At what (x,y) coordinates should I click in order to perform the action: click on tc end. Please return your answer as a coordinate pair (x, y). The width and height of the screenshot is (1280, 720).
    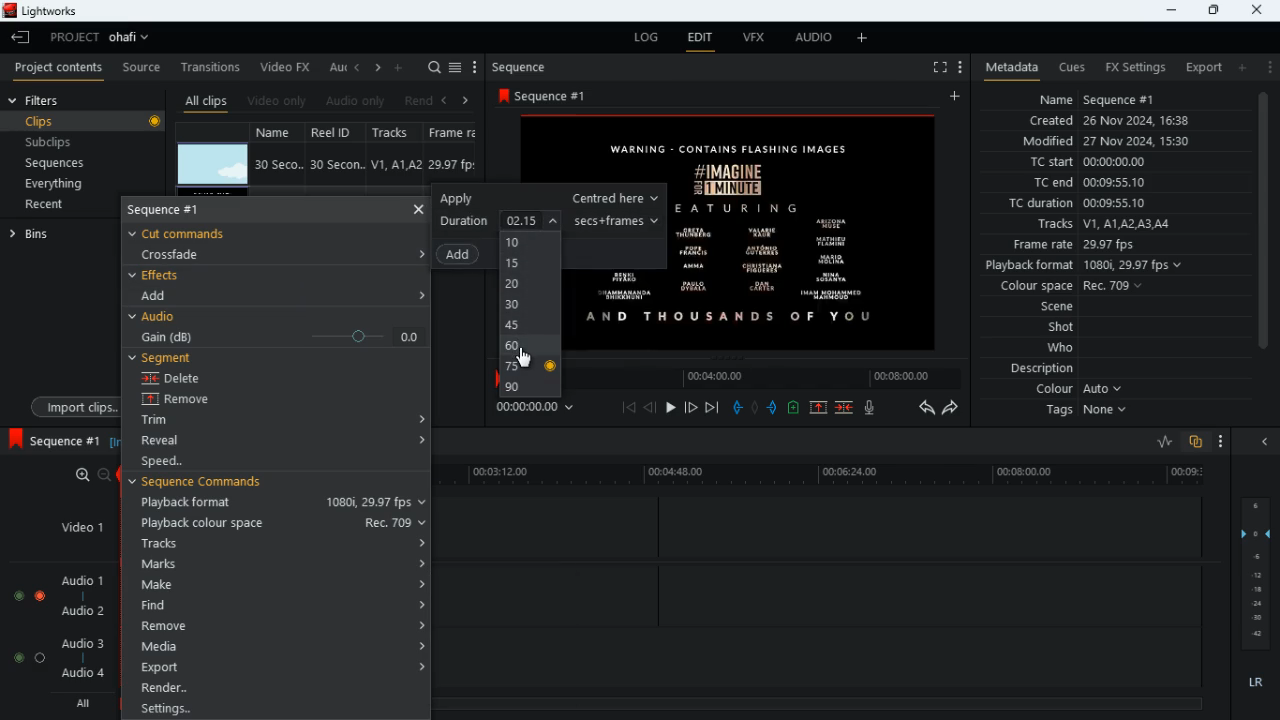
    Looking at the image, I should click on (1082, 183).